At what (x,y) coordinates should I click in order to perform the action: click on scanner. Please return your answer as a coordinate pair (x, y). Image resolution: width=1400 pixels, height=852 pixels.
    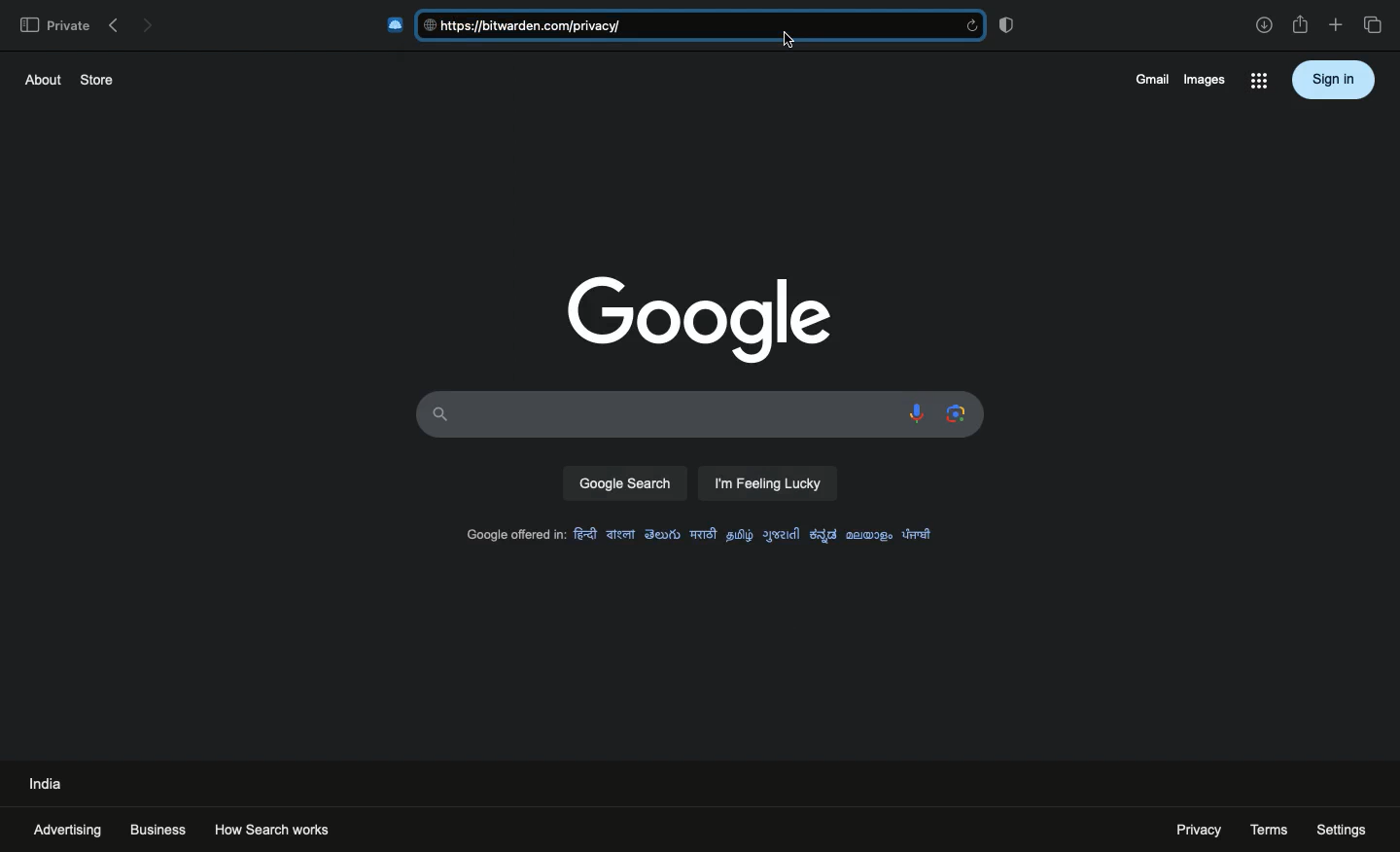
    Looking at the image, I should click on (952, 413).